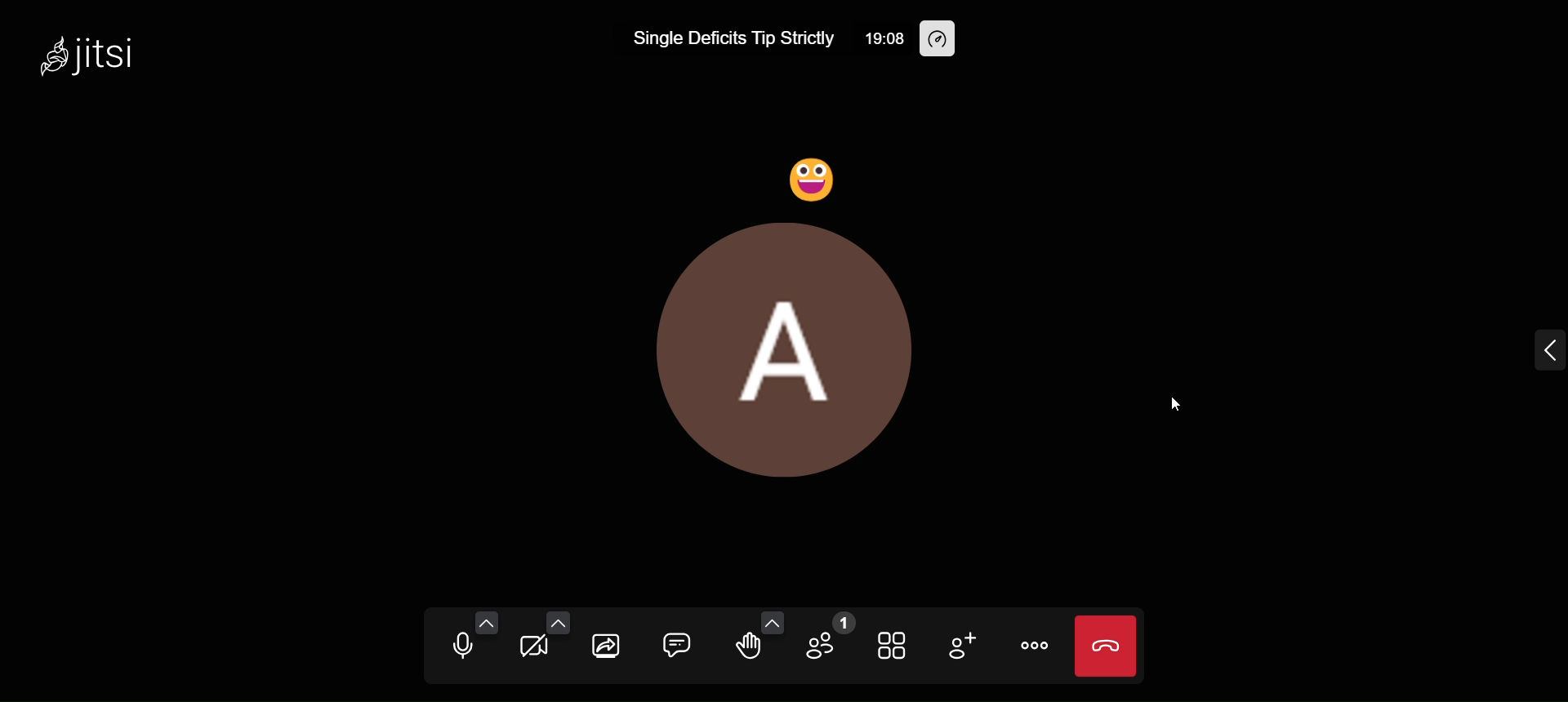 Image resolution: width=1568 pixels, height=702 pixels. I want to click on jitsi, so click(95, 53).